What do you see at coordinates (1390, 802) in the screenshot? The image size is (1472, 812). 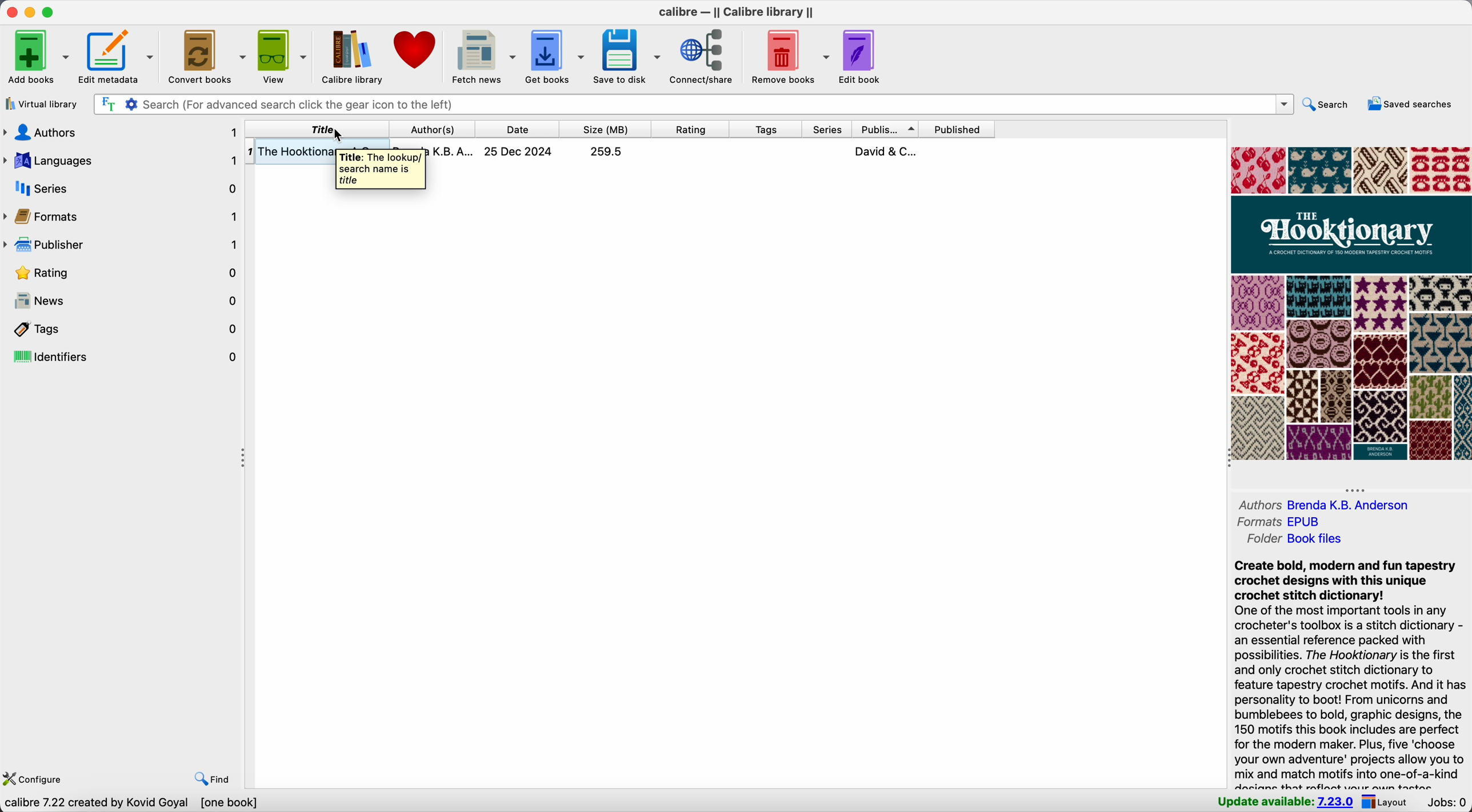 I see `layout` at bounding box center [1390, 802].